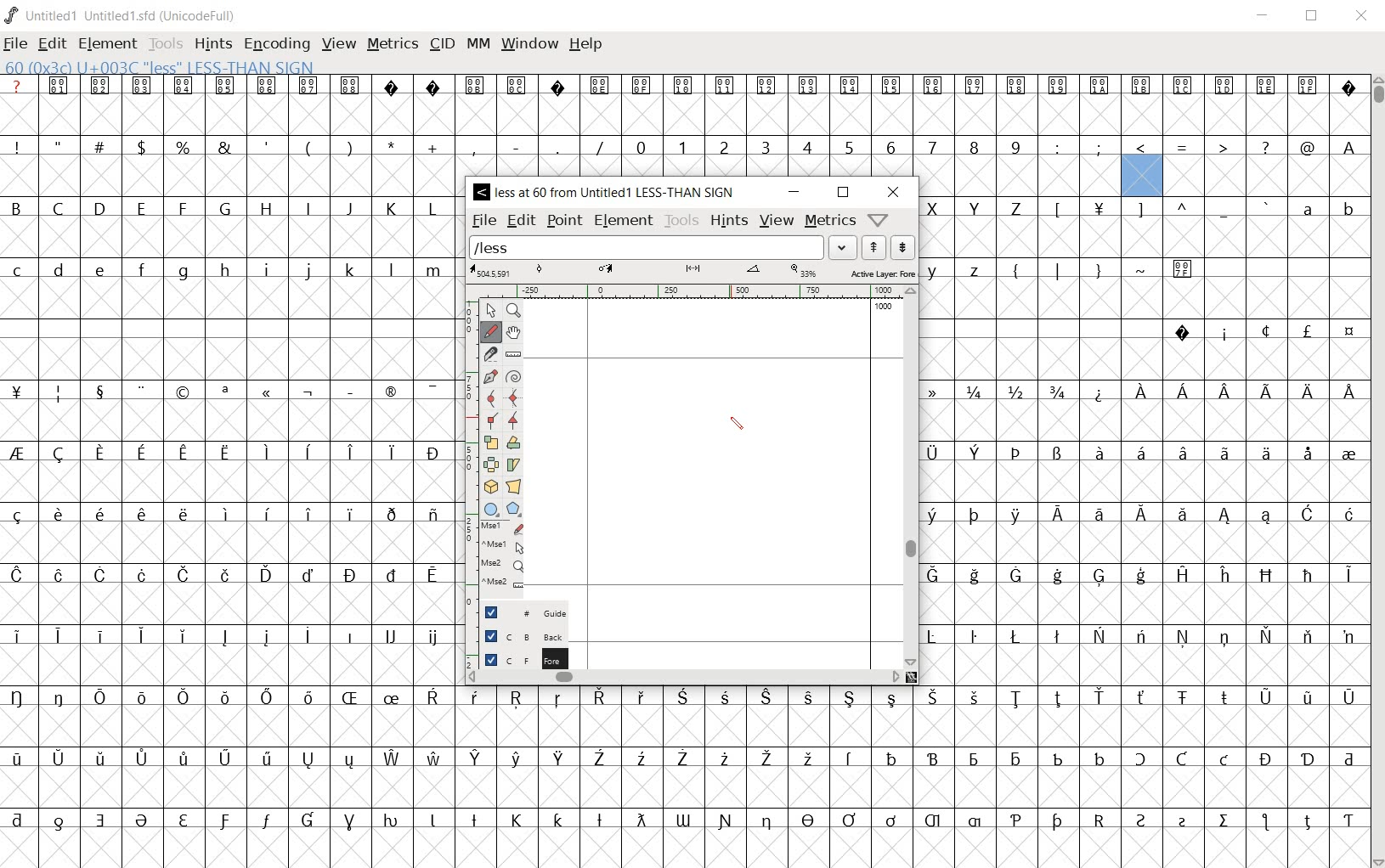  Describe the element at coordinates (517, 656) in the screenshot. I see `foreground` at that location.